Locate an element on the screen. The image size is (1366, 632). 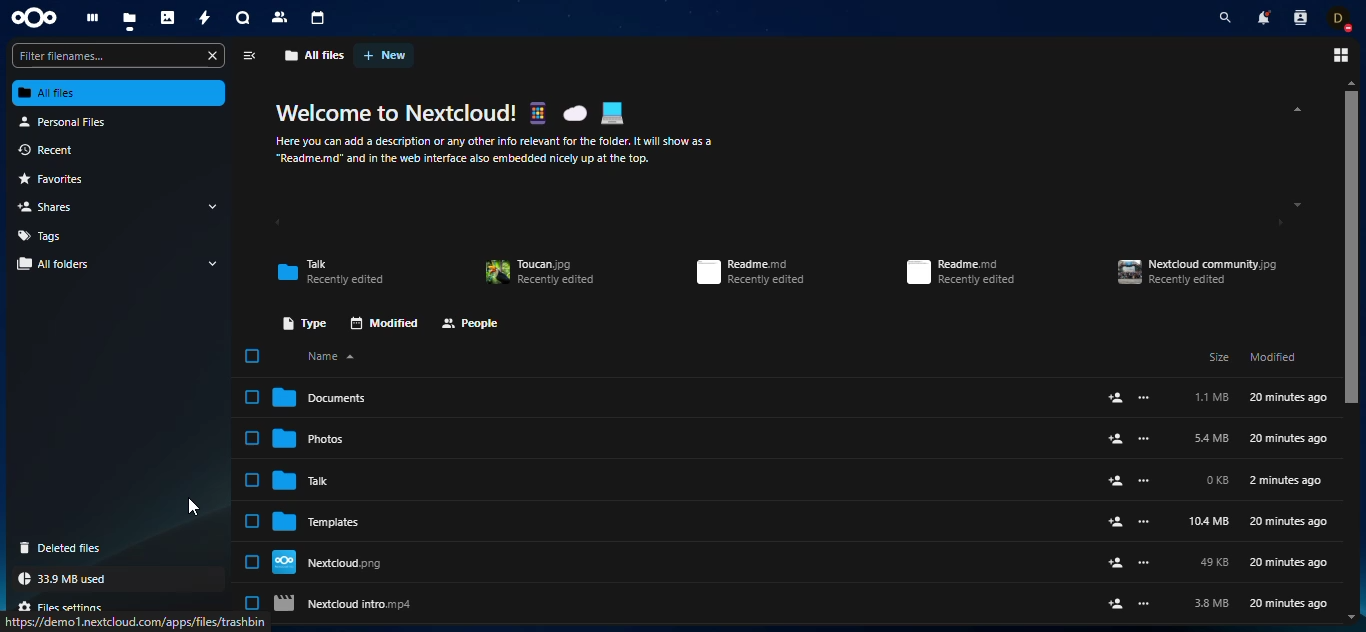
Add is located at coordinates (1131, 398).